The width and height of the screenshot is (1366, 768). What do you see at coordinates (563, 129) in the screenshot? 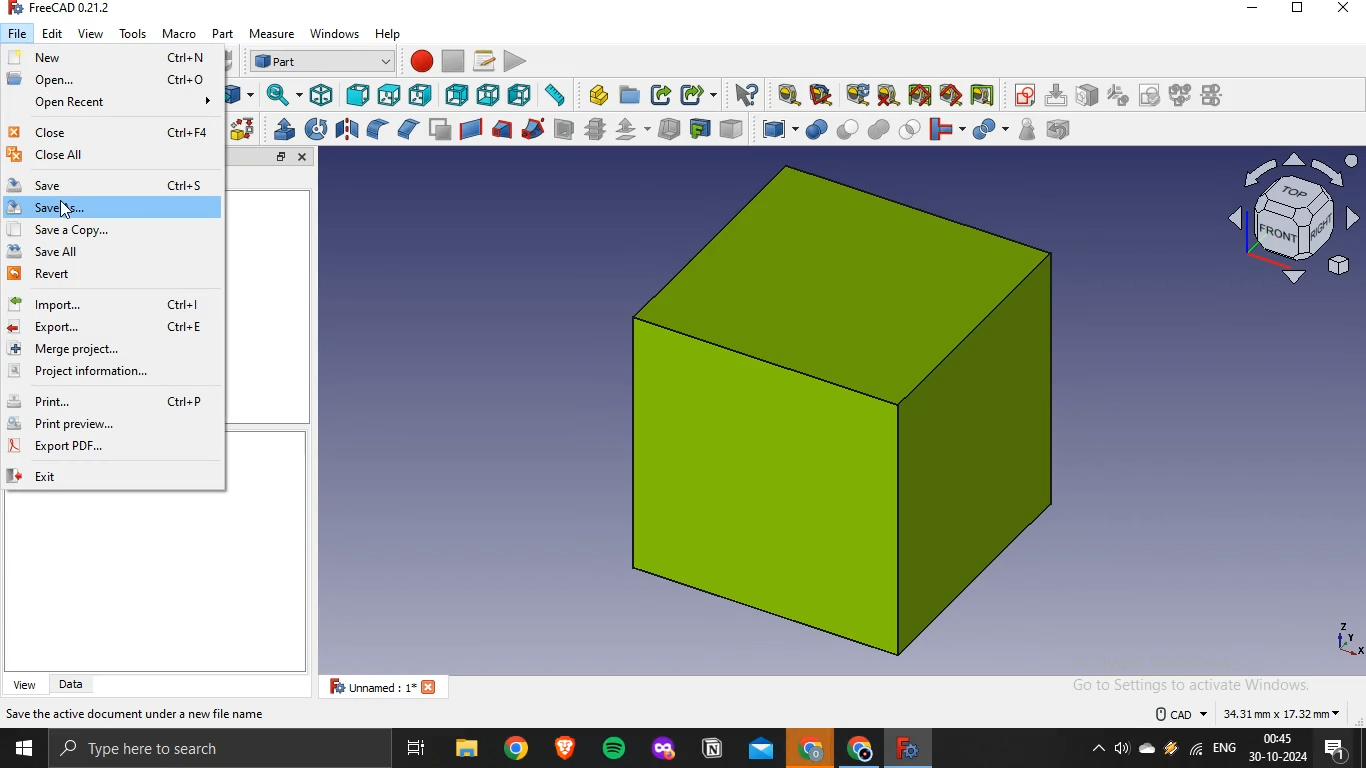
I see `section` at bounding box center [563, 129].